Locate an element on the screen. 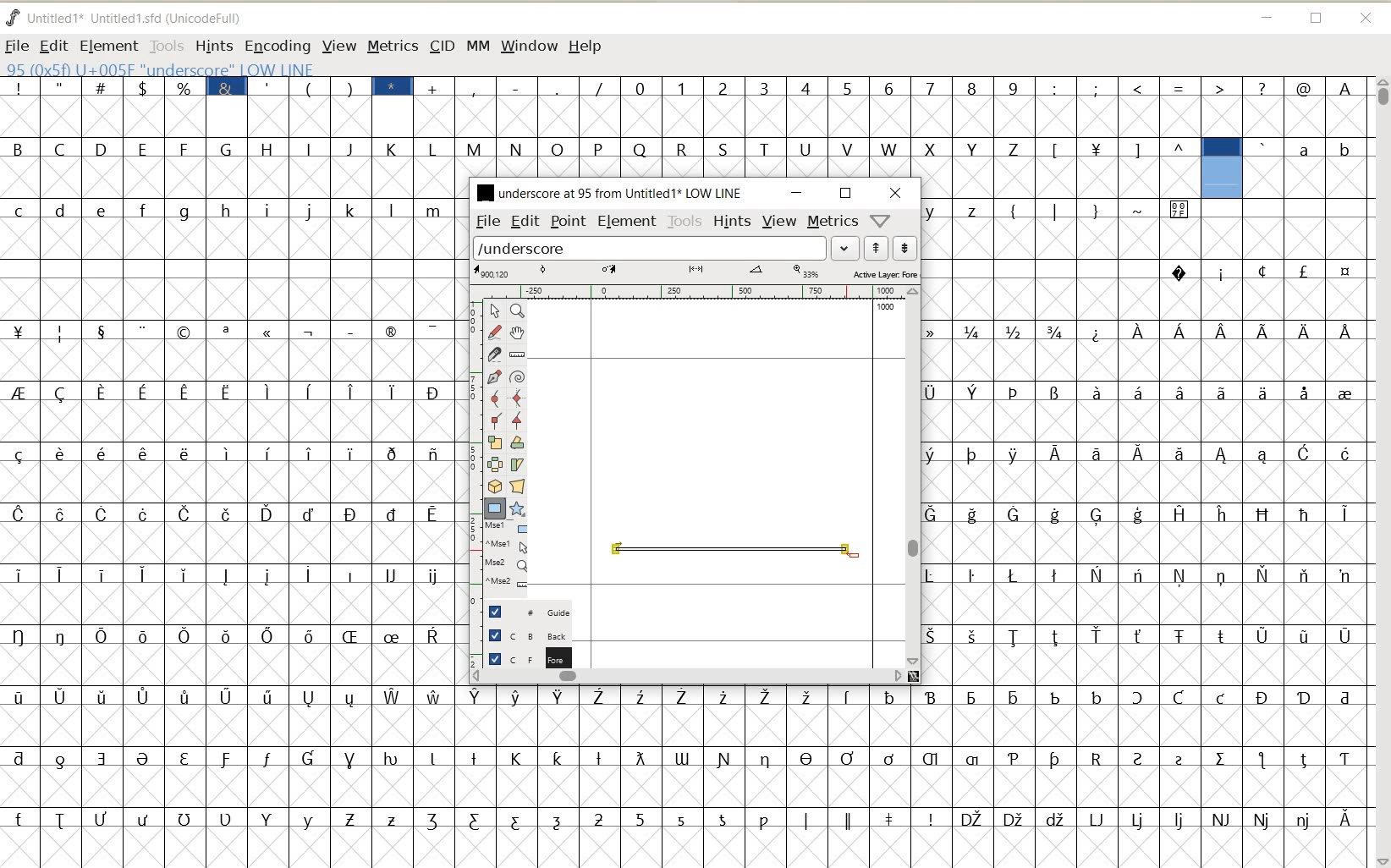 The height and width of the screenshot is (868, 1391). MM is located at coordinates (476, 45).